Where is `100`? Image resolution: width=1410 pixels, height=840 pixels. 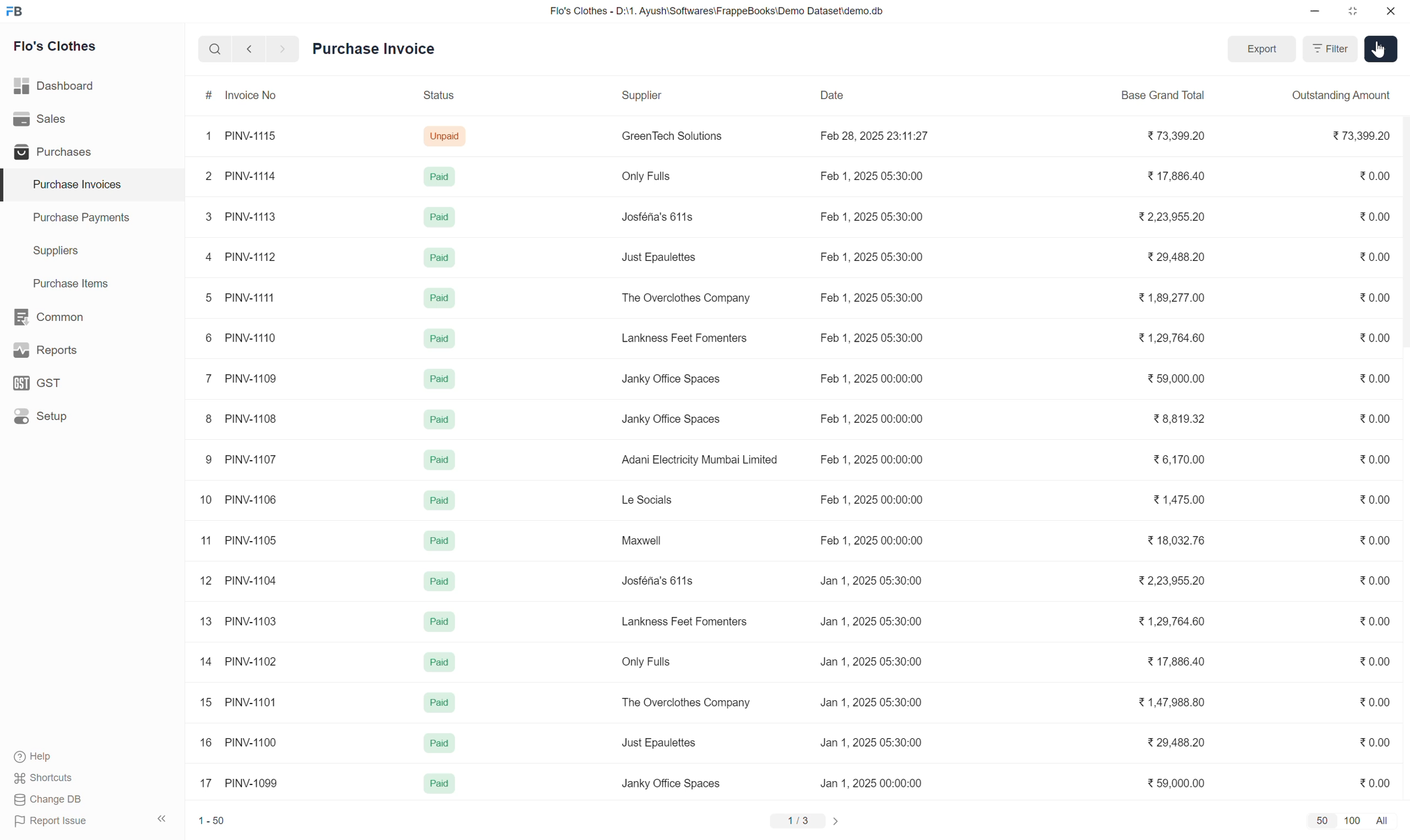 100 is located at coordinates (1353, 821).